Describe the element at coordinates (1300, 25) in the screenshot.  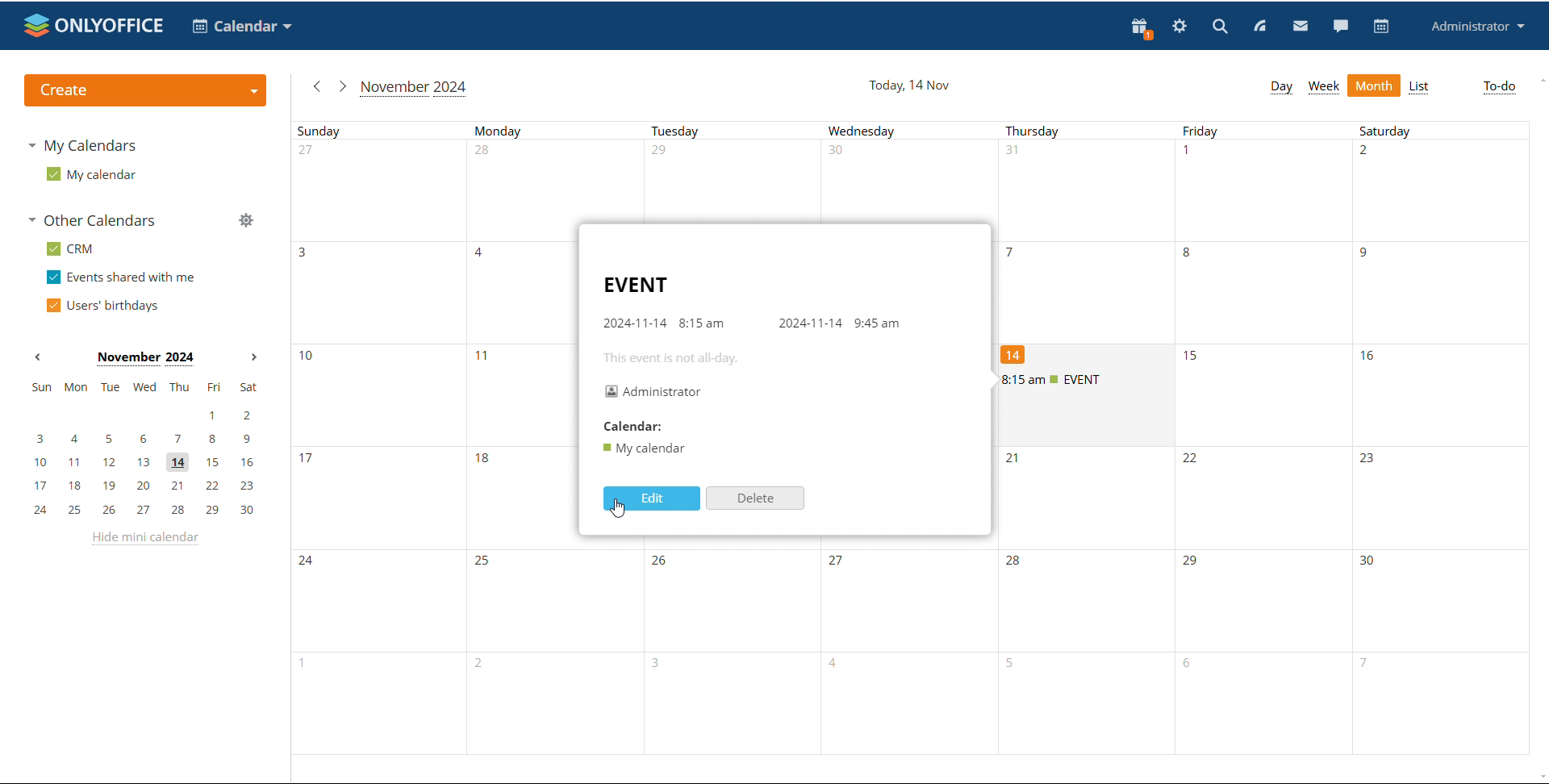
I see `mail` at that location.